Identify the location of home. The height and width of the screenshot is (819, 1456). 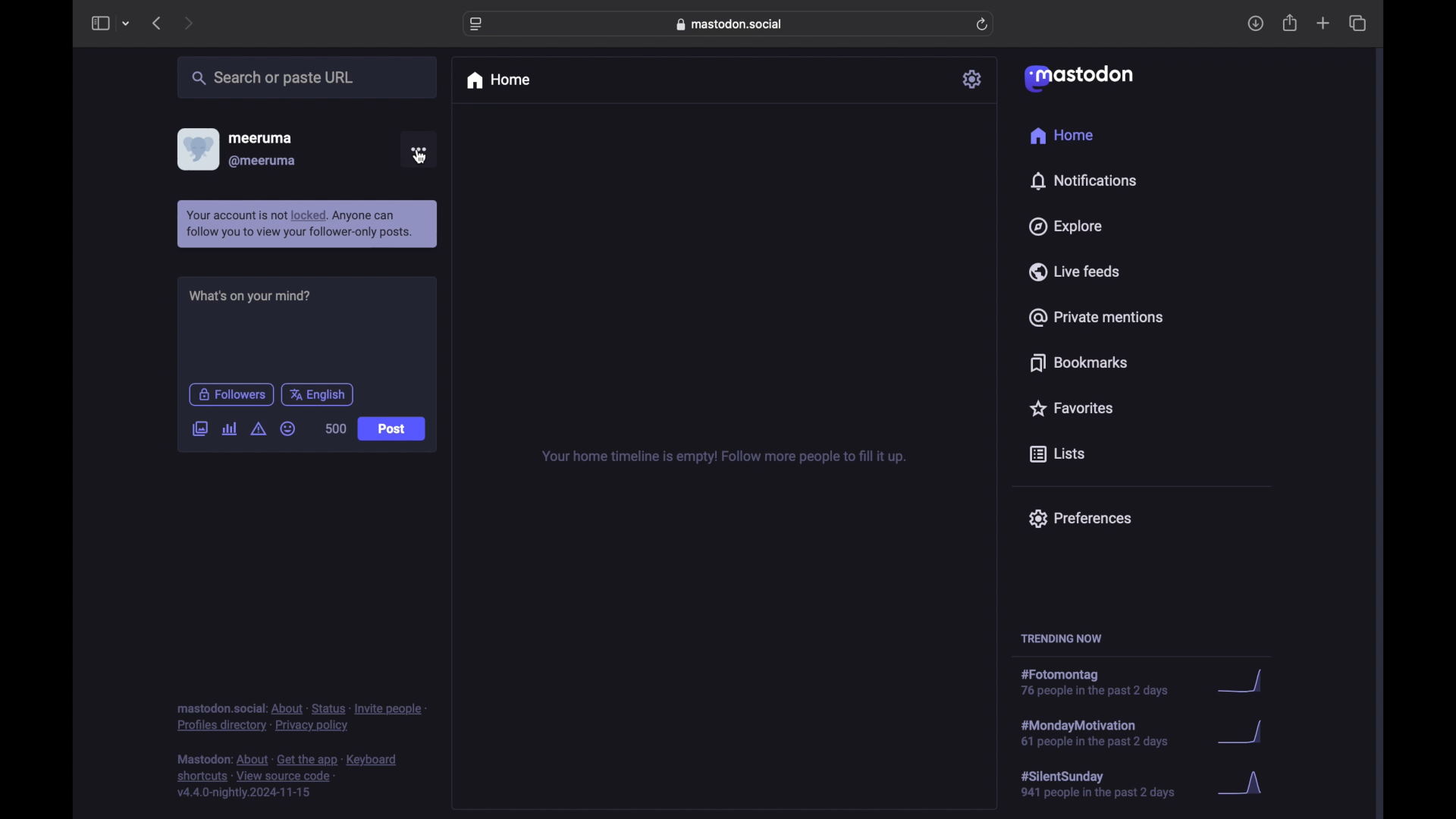
(499, 80).